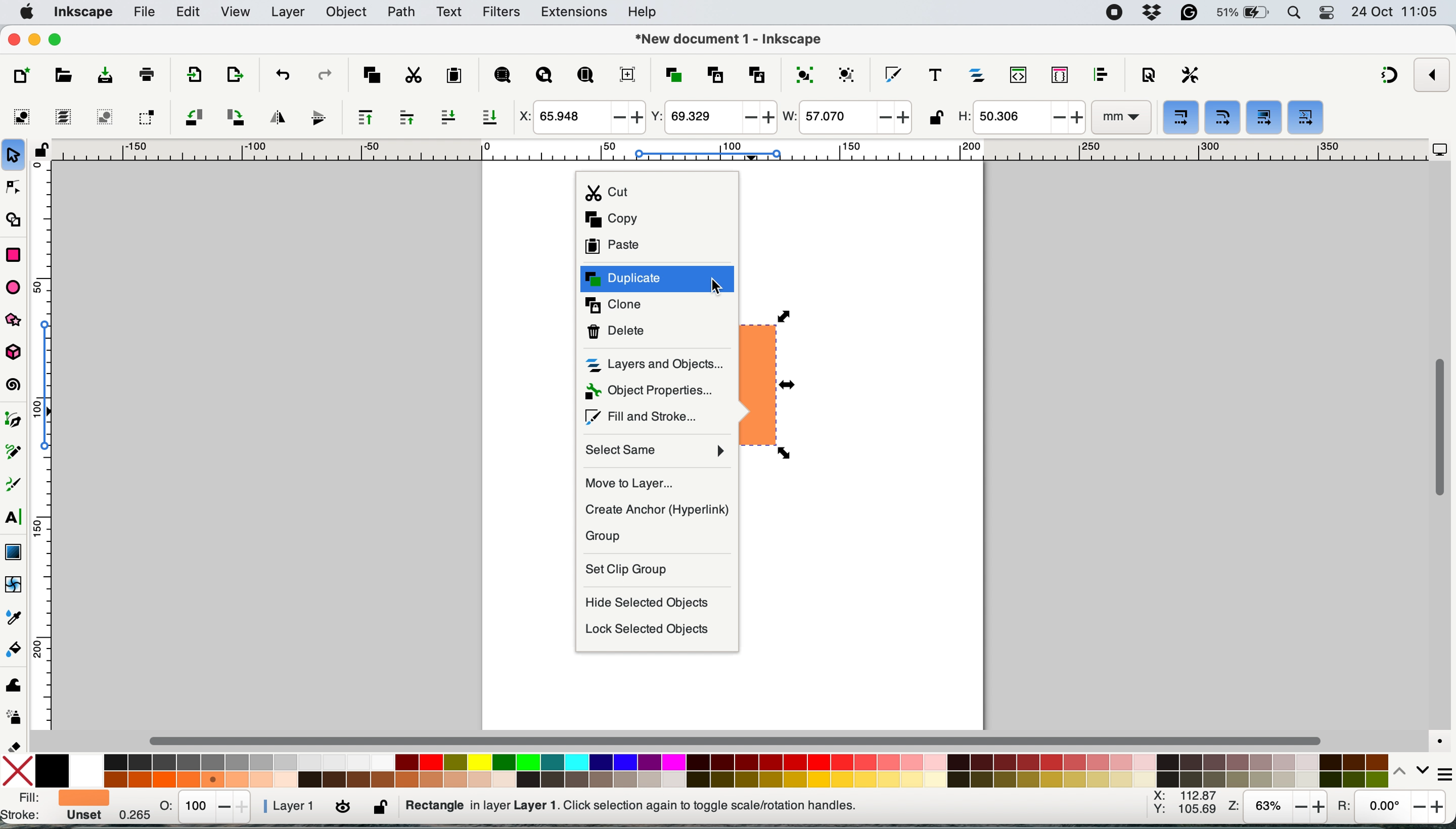 The height and width of the screenshot is (829, 1456). Describe the element at coordinates (344, 808) in the screenshot. I see `toggle current layer visibility` at that location.